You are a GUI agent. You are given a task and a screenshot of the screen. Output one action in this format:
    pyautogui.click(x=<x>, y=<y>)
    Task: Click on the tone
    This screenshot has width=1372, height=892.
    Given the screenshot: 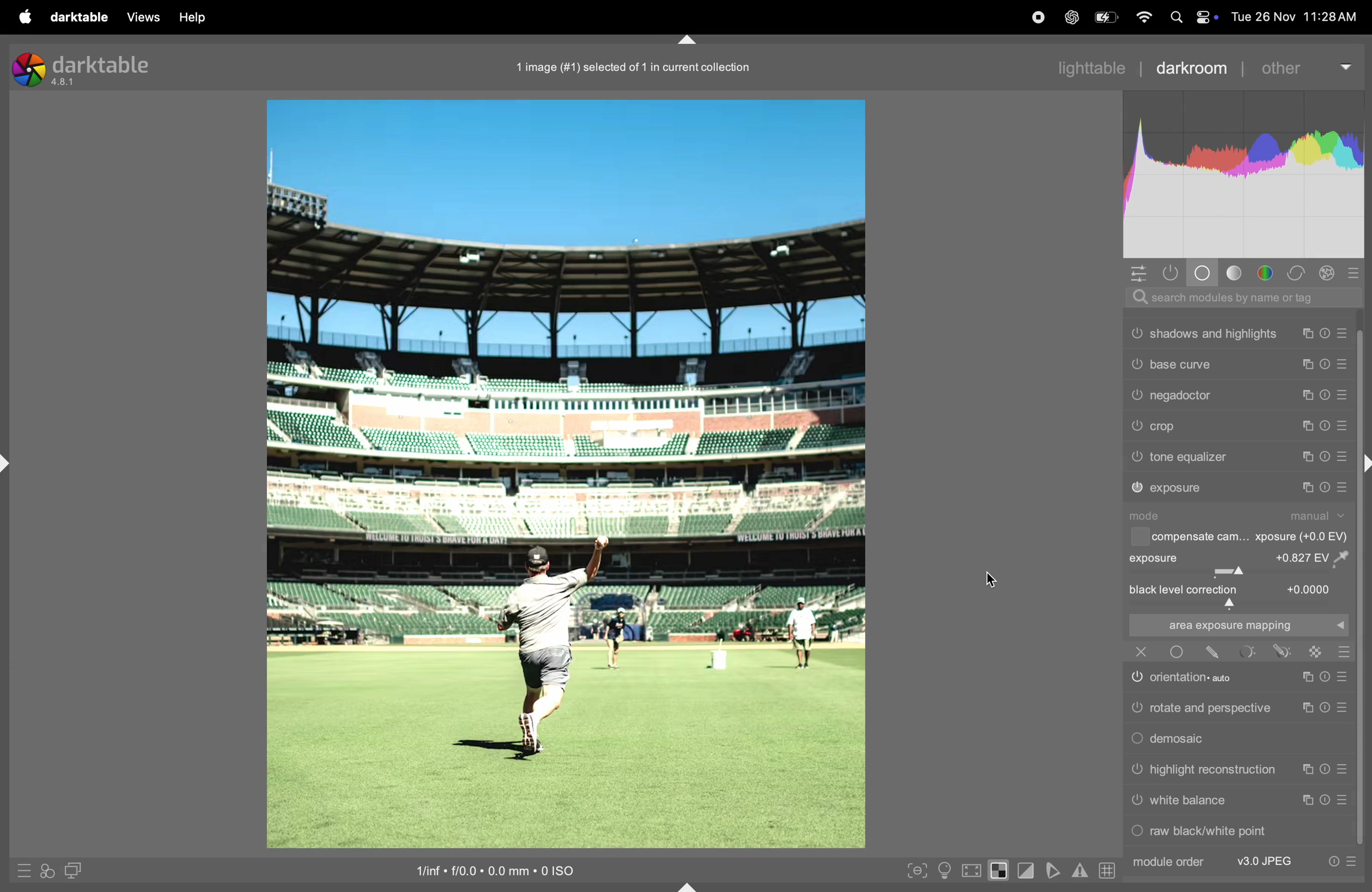 What is the action you would take?
    pyautogui.click(x=1235, y=273)
    